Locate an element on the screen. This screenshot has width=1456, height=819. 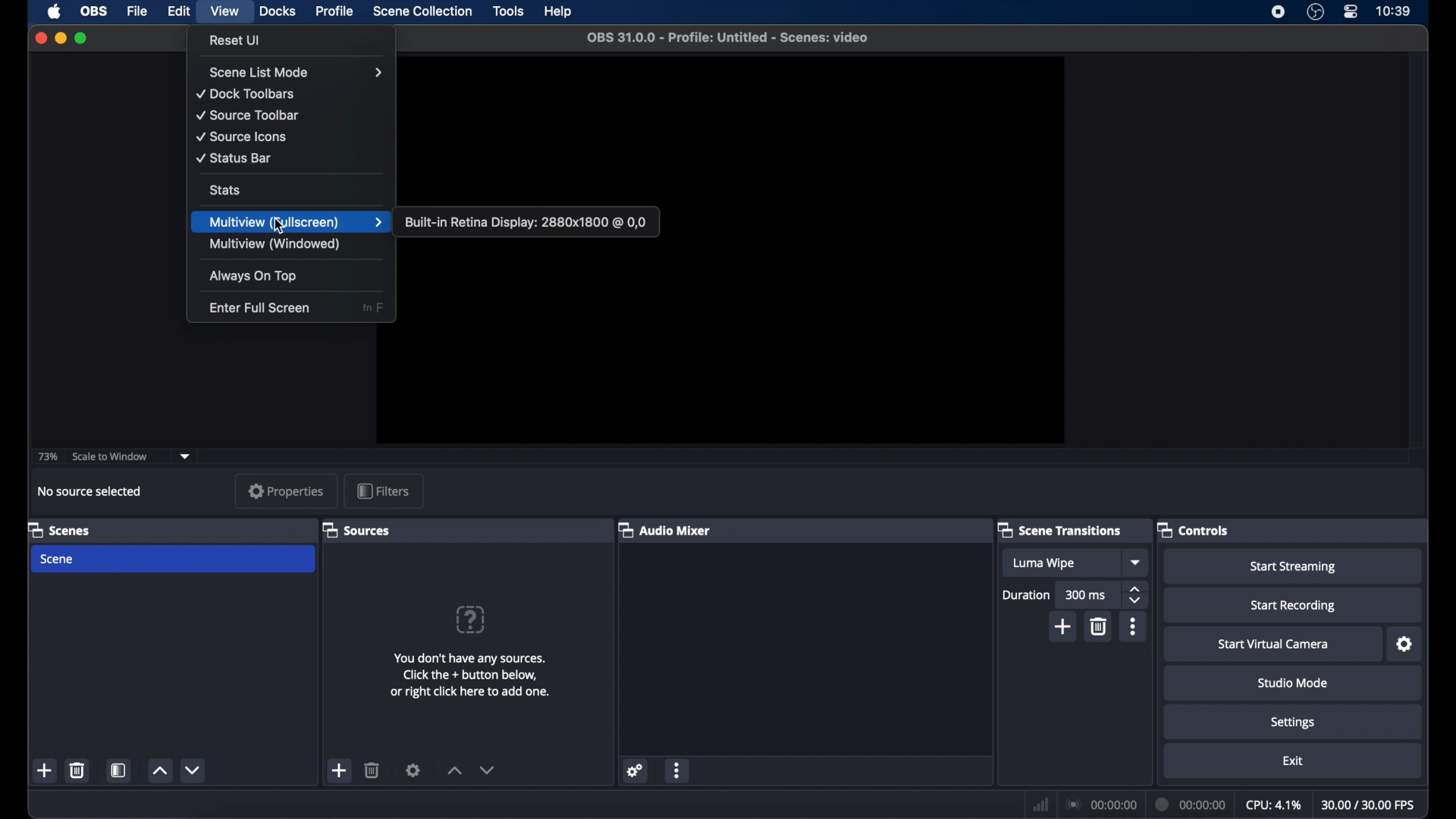
Built-in Retina Display: 2880x1800 @ 0,0 is located at coordinates (526, 220).